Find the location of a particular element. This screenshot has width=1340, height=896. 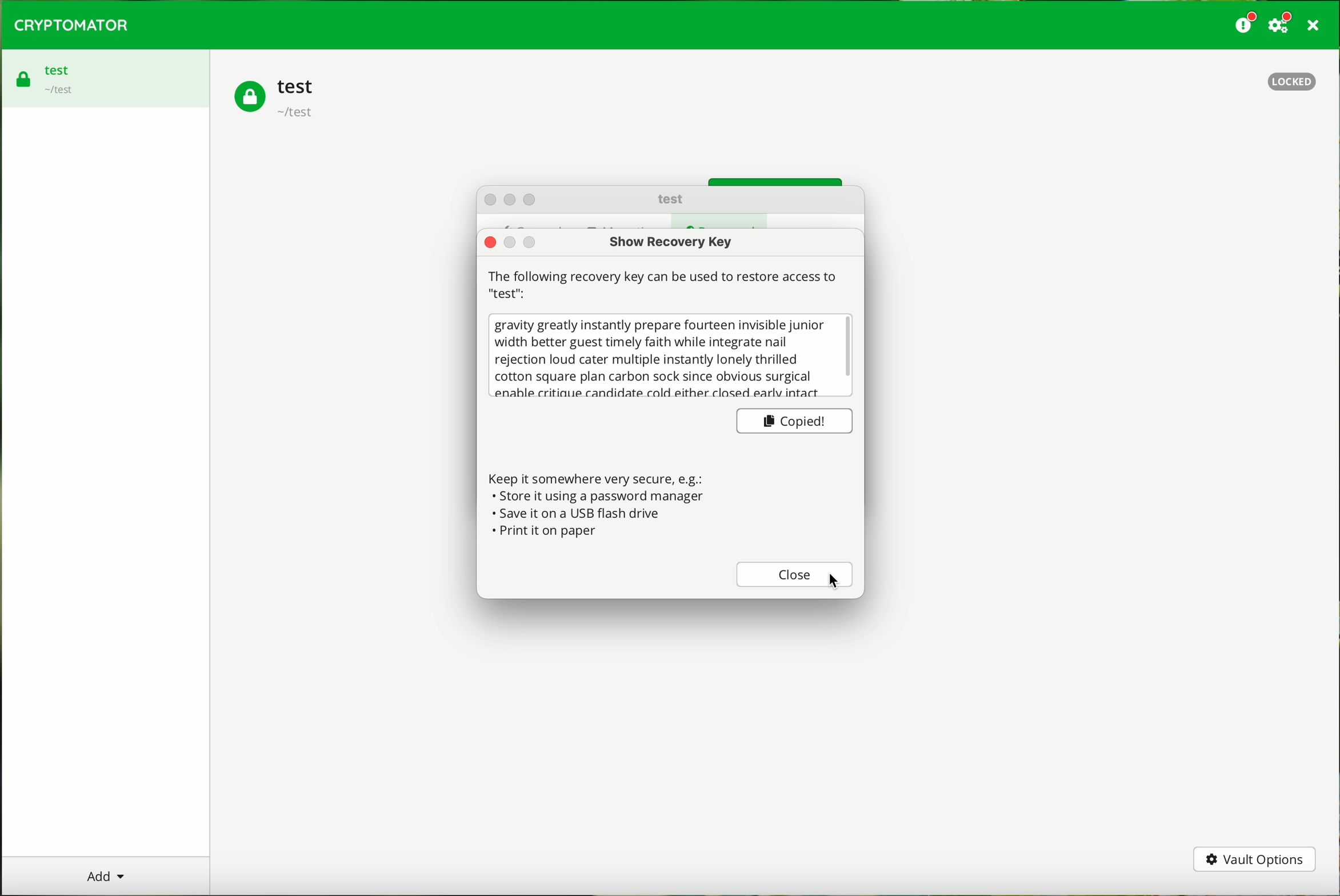

close is located at coordinates (490, 242).